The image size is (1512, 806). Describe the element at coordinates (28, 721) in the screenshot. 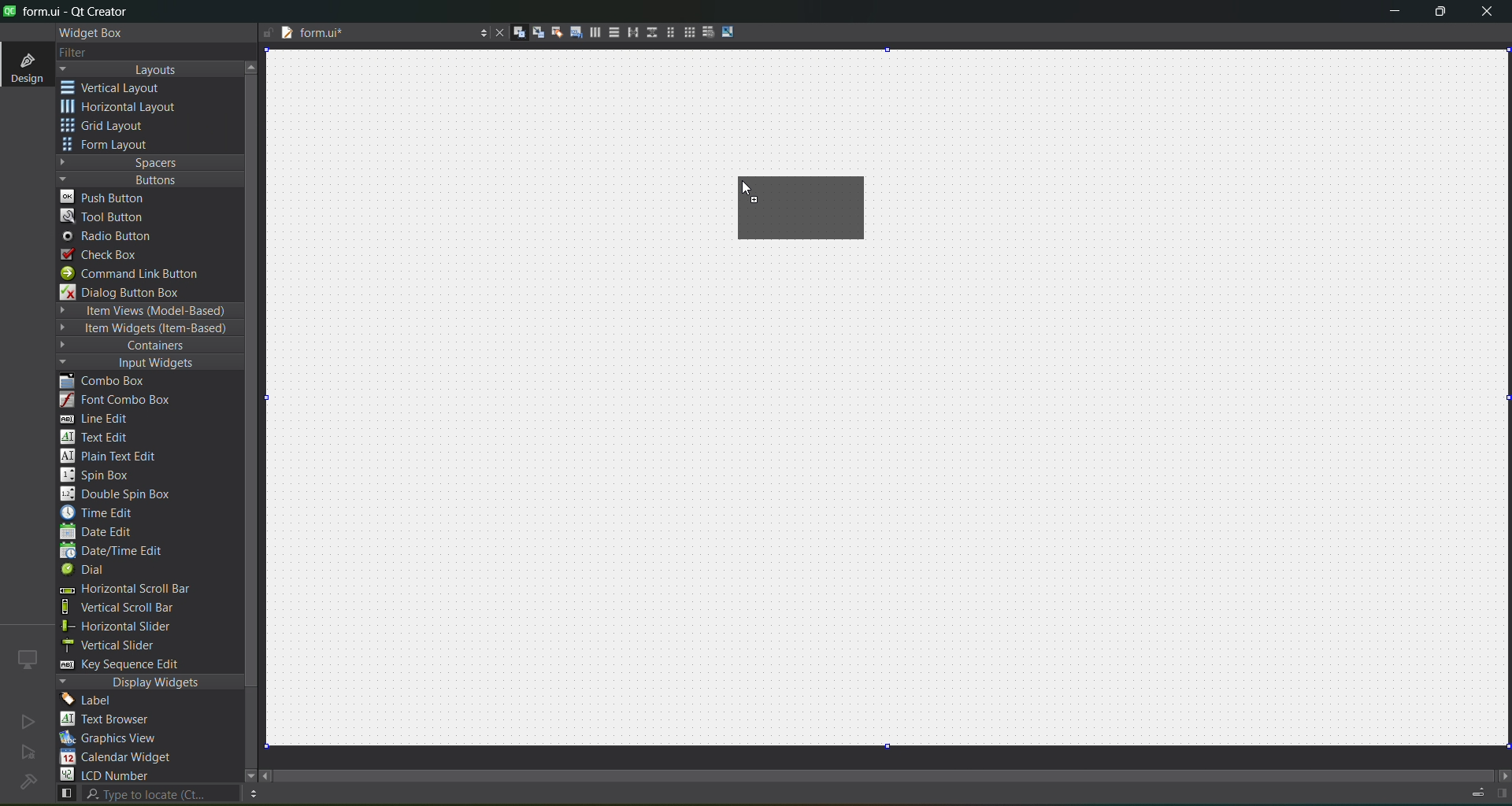

I see `no active project` at that location.